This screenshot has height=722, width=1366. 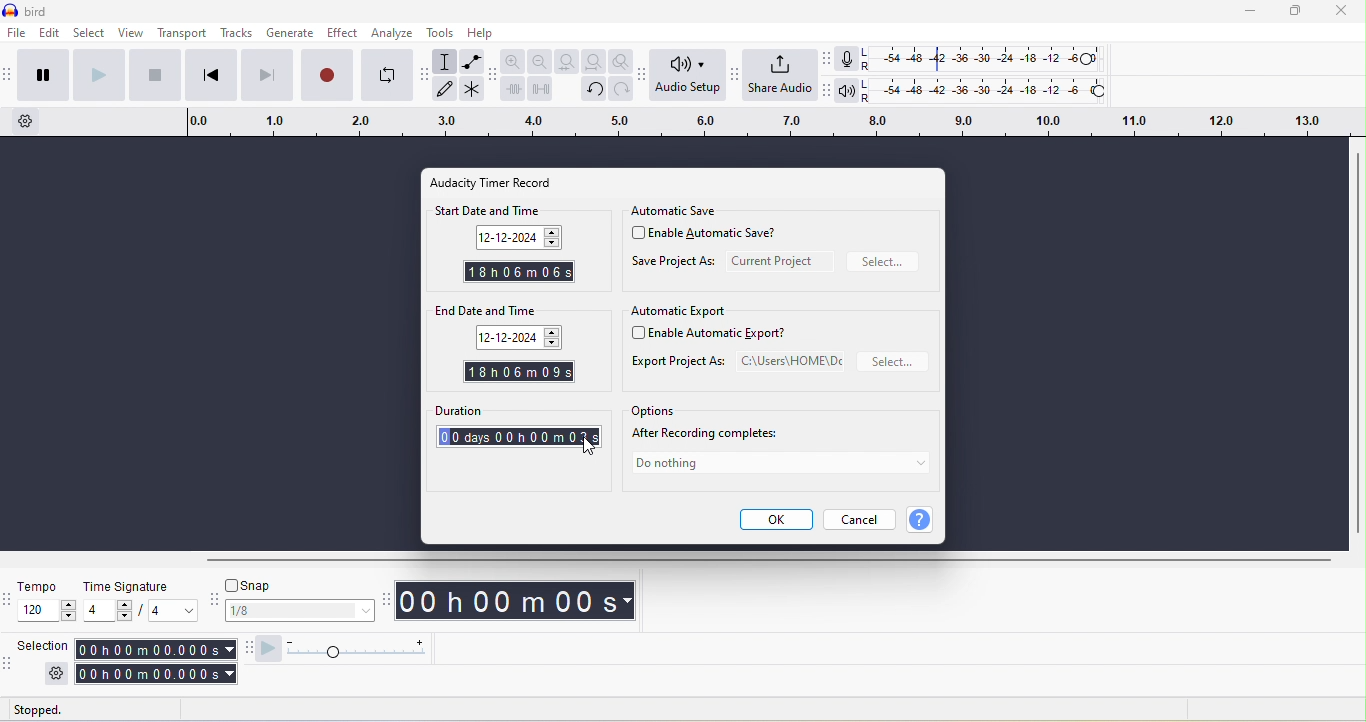 What do you see at coordinates (41, 74) in the screenshot?
I see `pause` at bounding box center [41, 74].